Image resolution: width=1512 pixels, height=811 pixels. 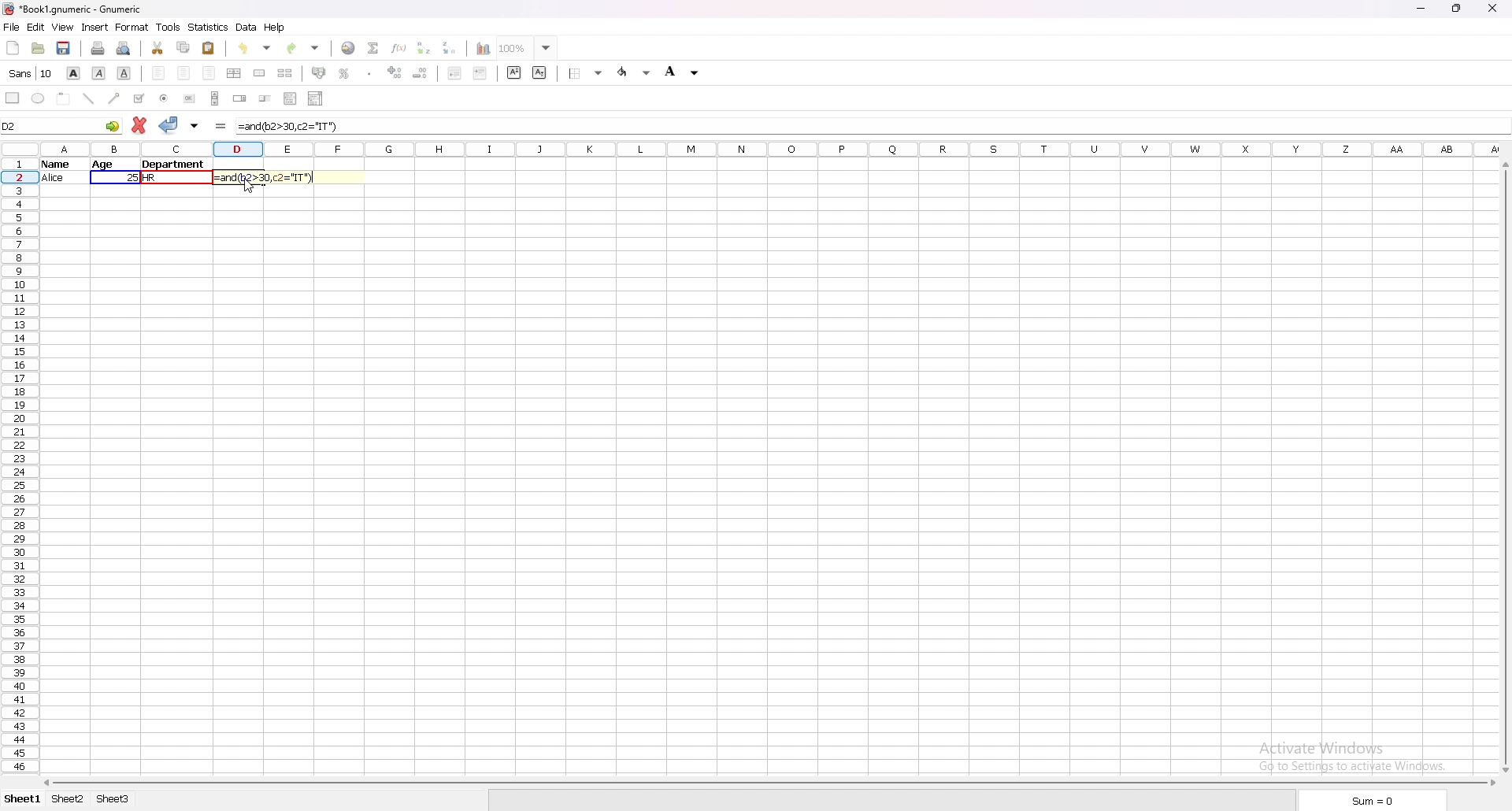 I want to click on format, so click(x=132, y=27).